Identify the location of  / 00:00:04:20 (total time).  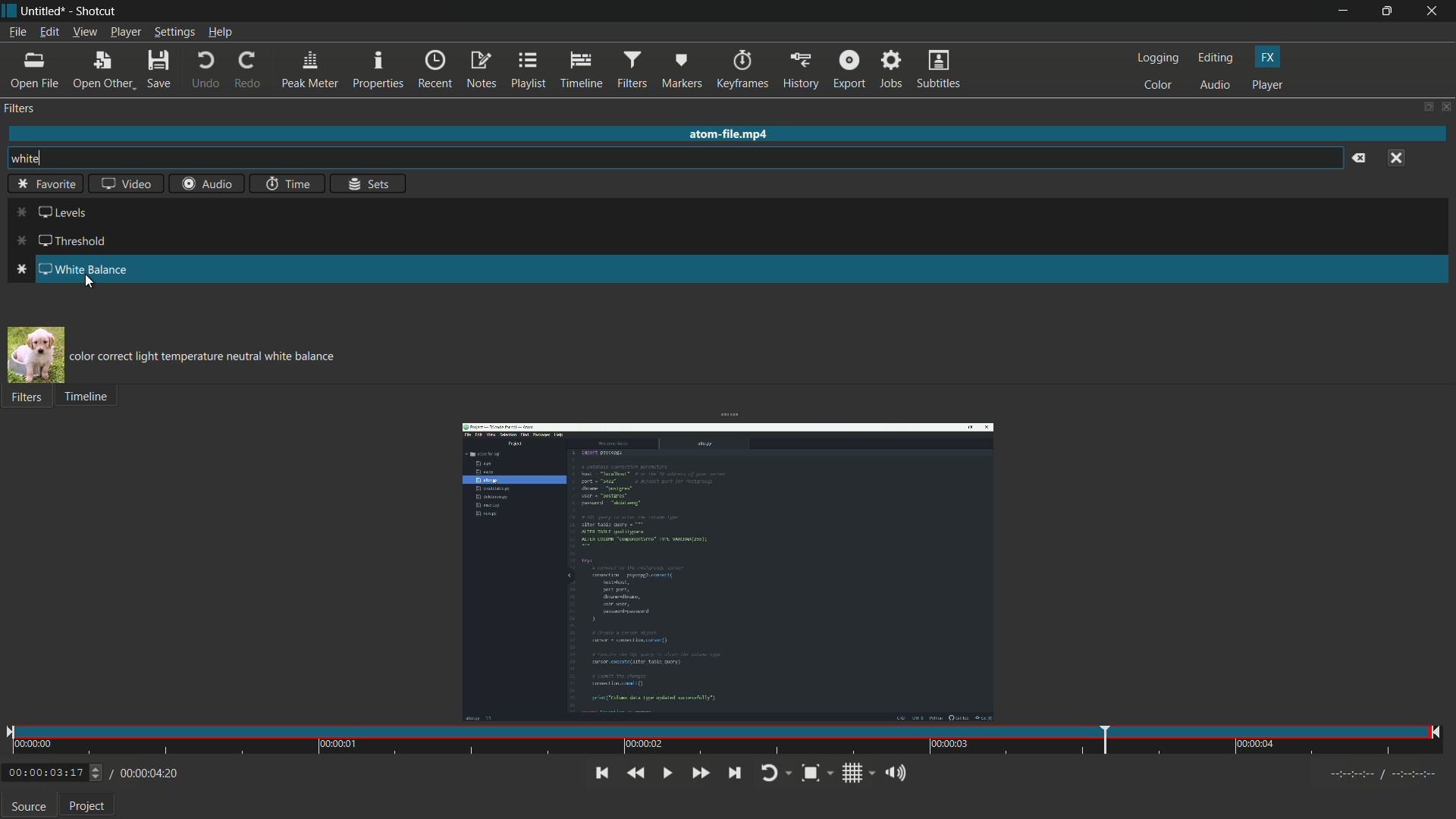
(146, 771).